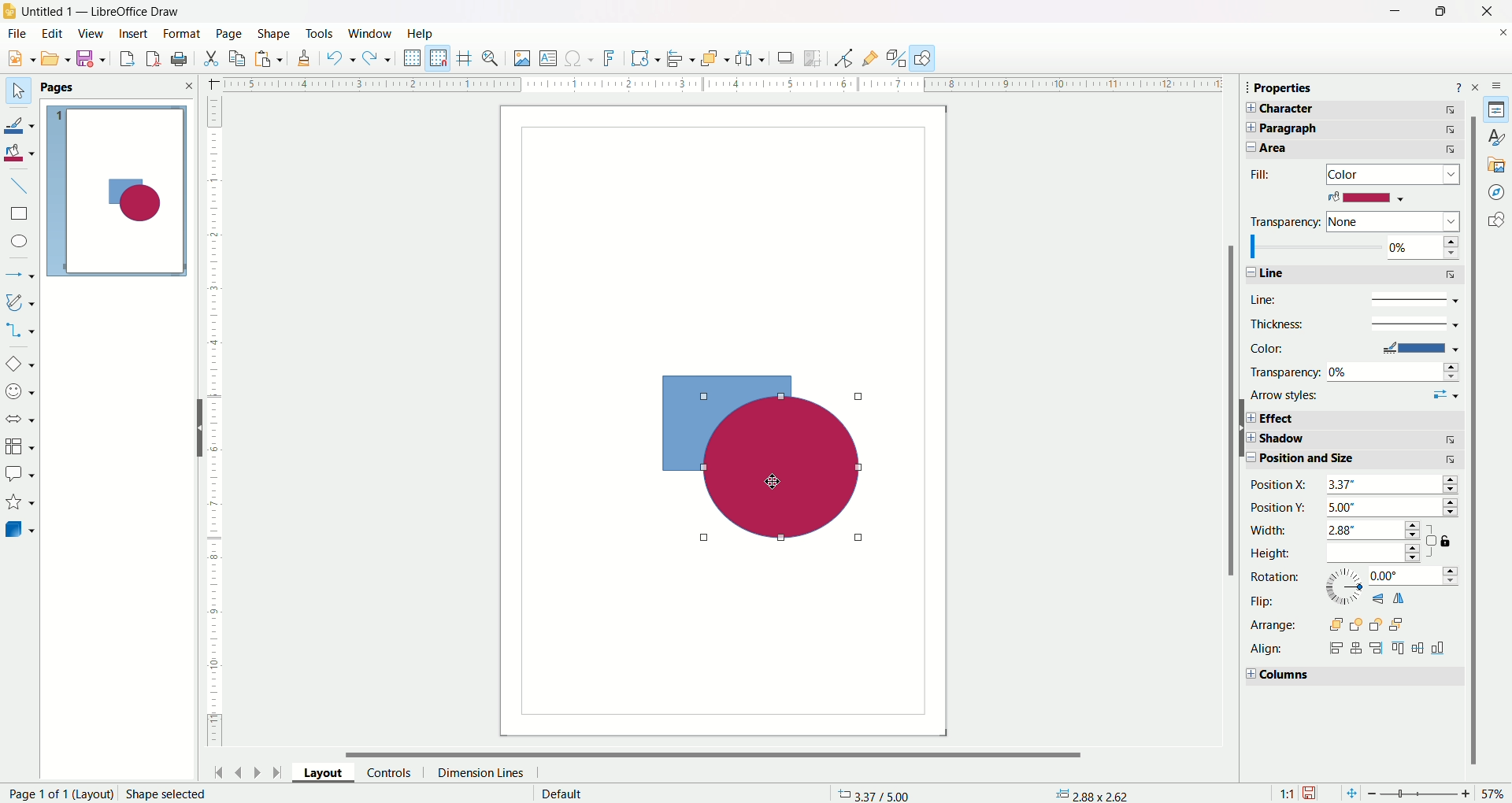 The image size is (1512, 803). Describe the element at coordinates (18, 59) in the screenshot. I see `new` at that location.